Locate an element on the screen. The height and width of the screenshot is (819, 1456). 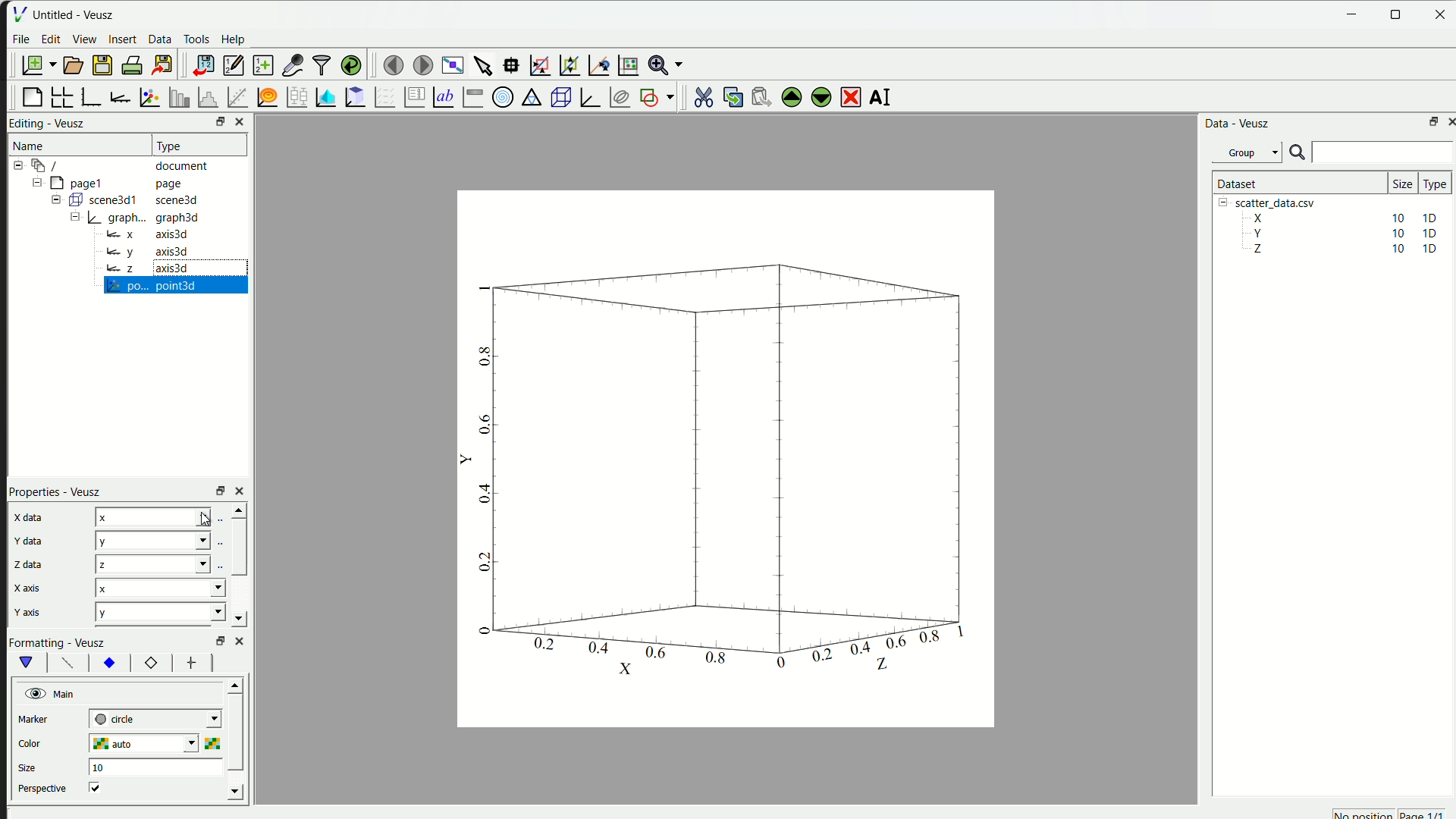
Polar Graph is located at coordinates (501, 97).